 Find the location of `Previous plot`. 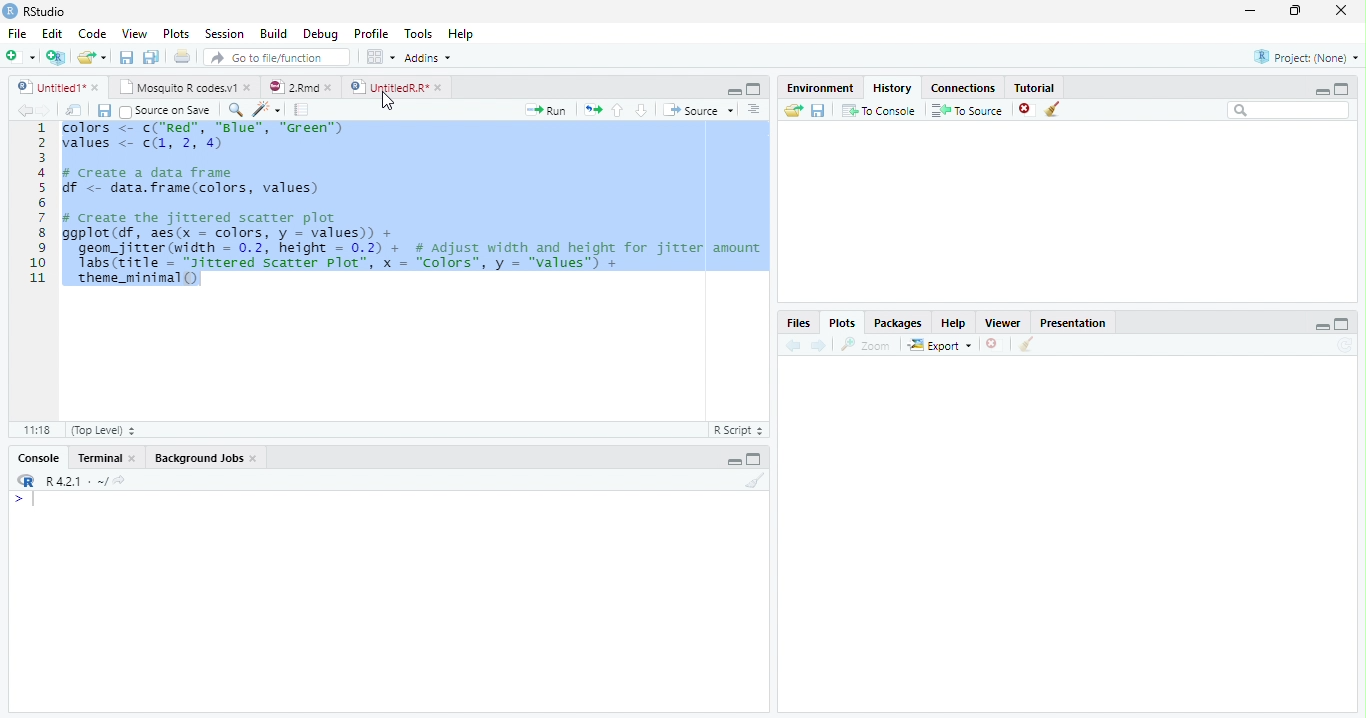

Previous plot is located at coordinates (794, 345).